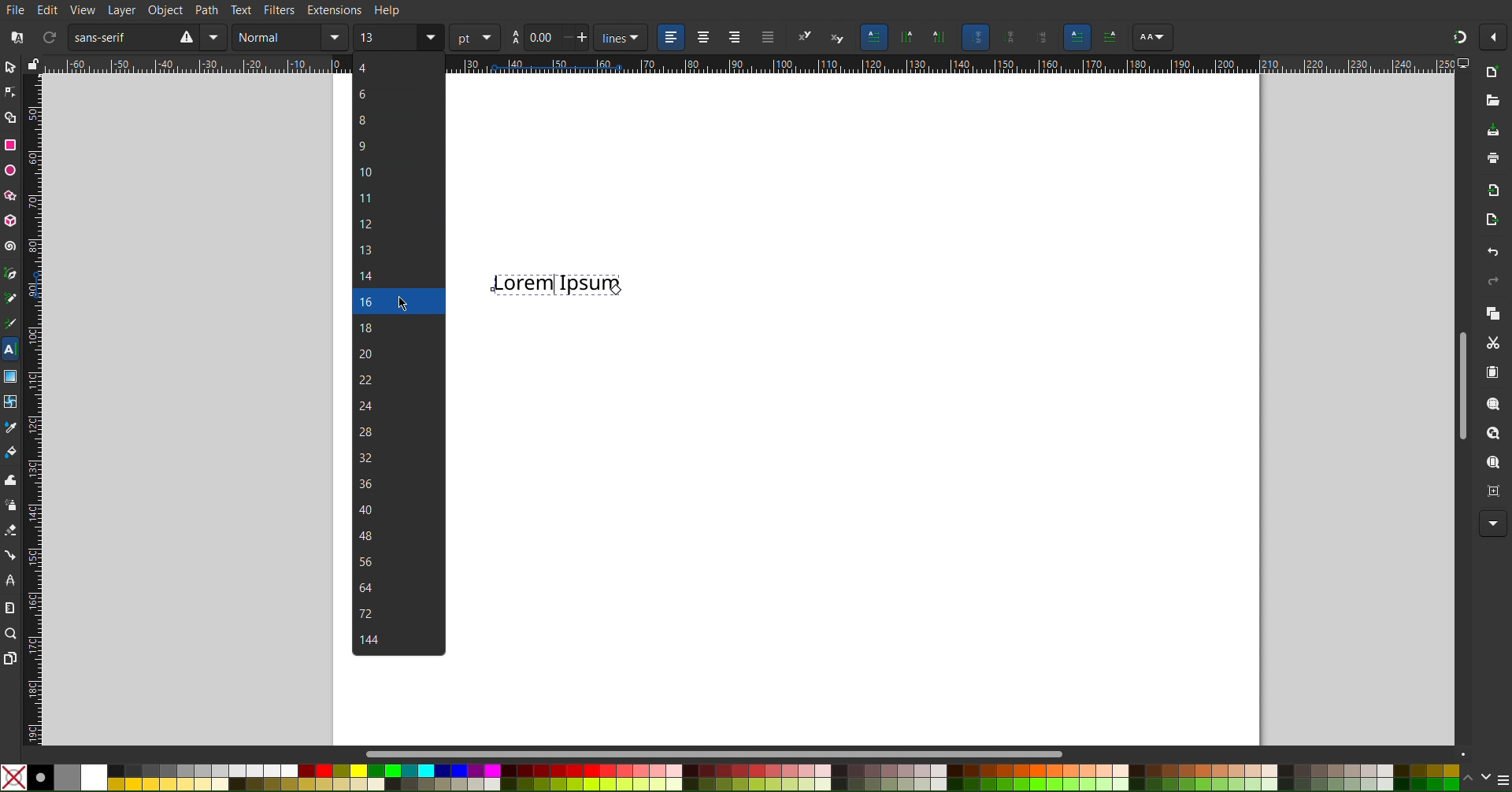  I want to click on Vertical Ruler, so click(32, 409).